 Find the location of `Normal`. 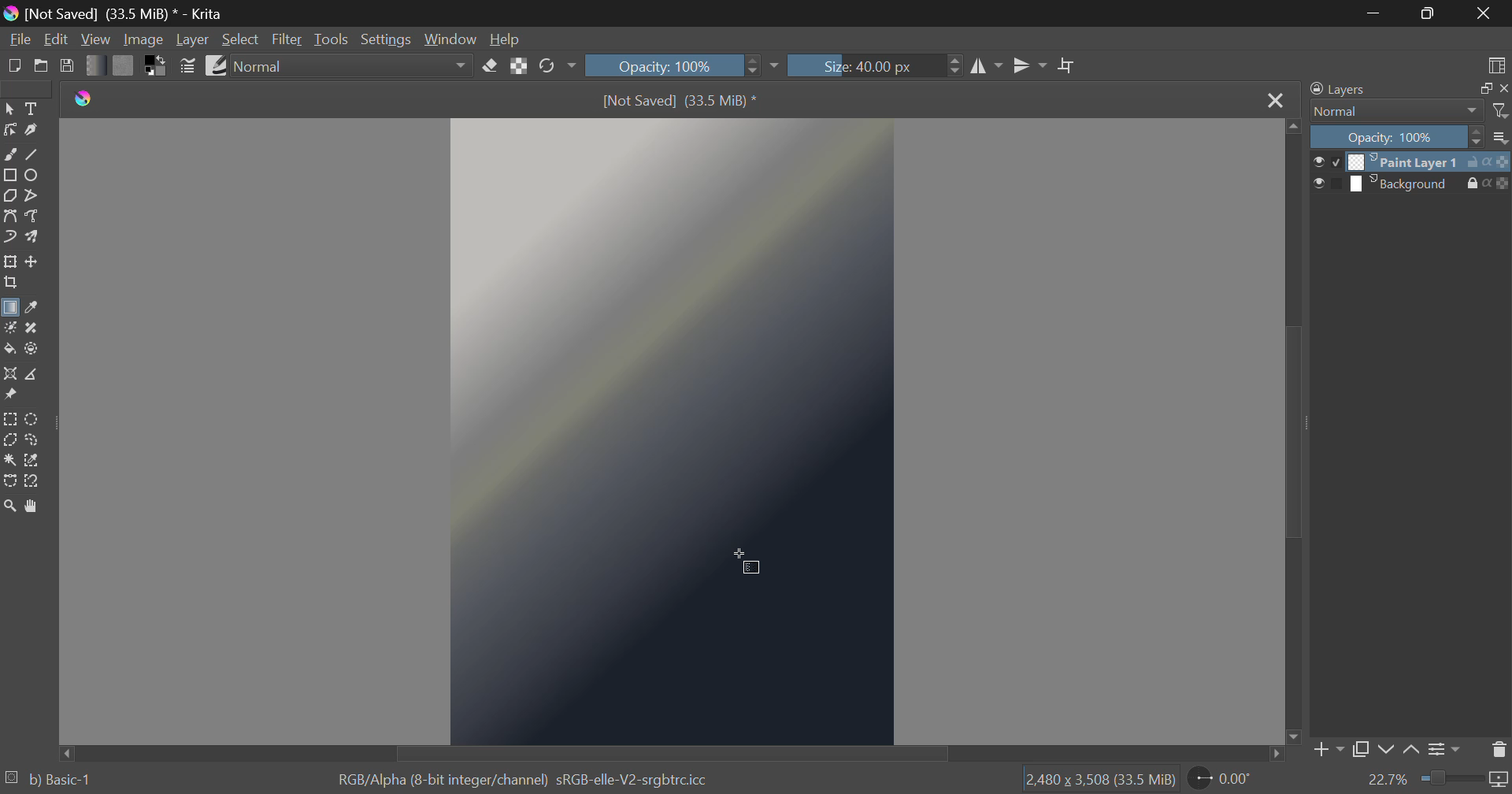

Normal is located at coordinates (1388, 111).